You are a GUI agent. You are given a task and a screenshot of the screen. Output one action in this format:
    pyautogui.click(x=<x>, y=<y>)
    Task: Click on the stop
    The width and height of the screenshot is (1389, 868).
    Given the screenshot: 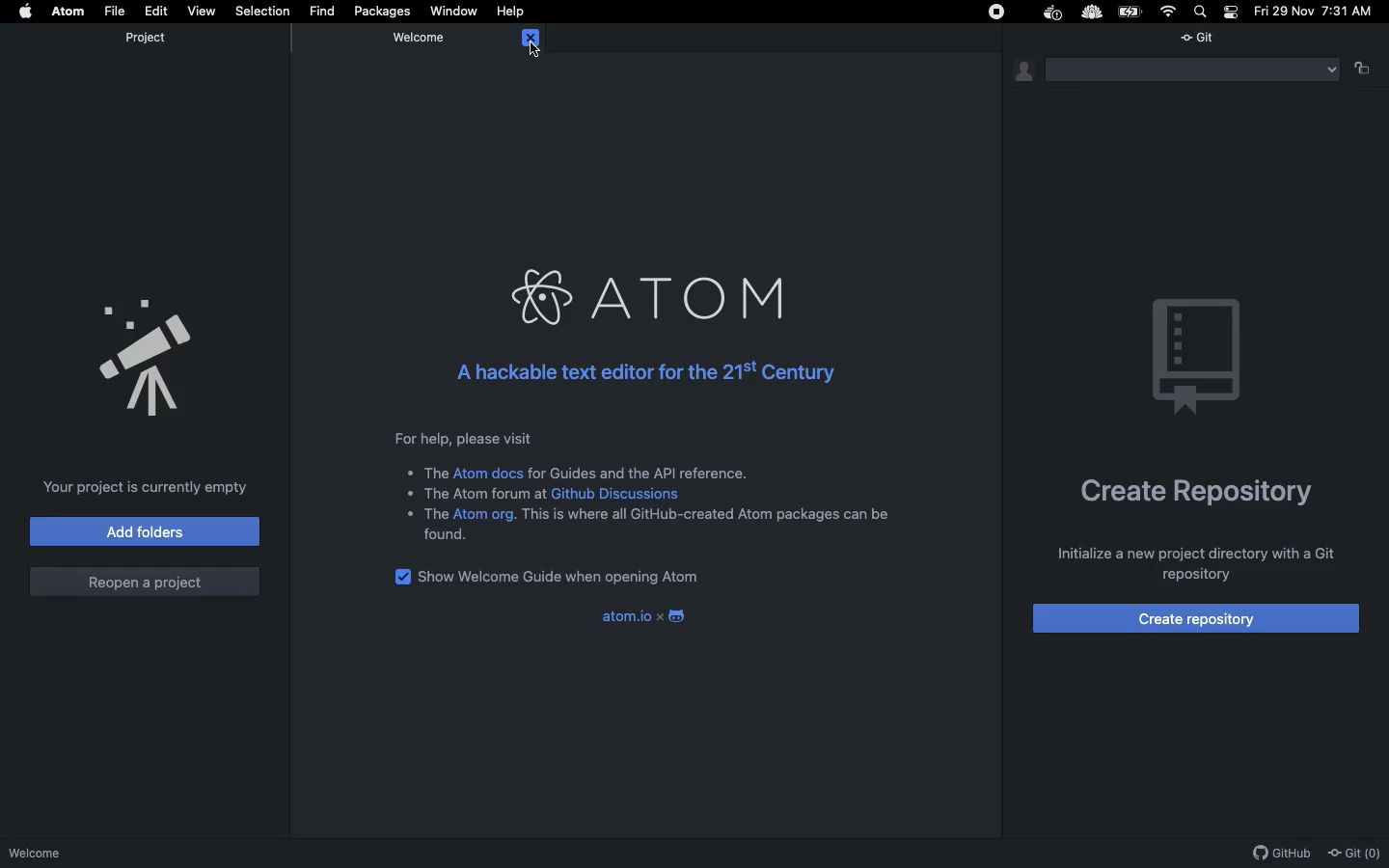 What is the action you would take?
    pyautogui.click(x=996, y=12)
    